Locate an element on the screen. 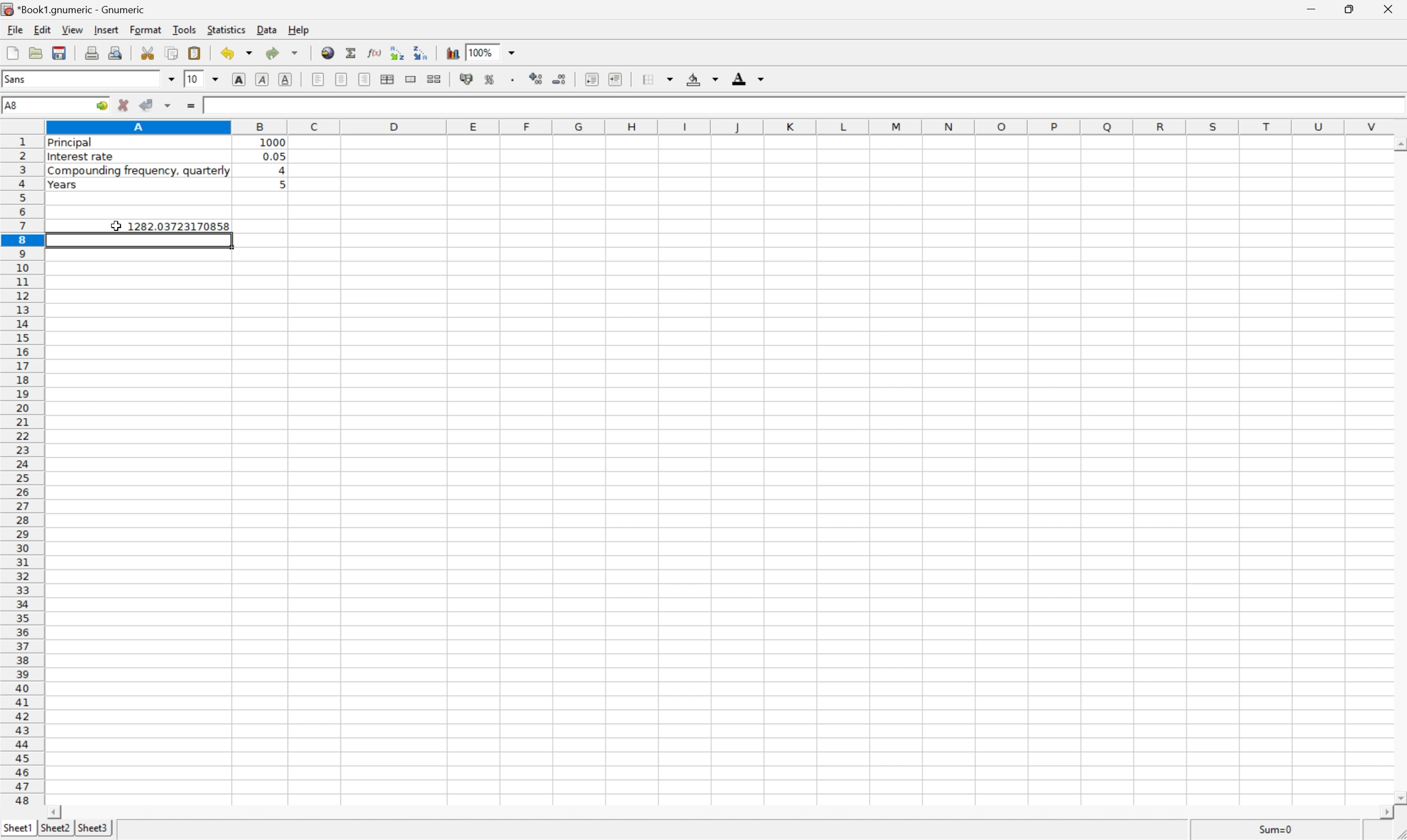 The image size is (1407, 840). A8 is located at coordinates (17, 104).